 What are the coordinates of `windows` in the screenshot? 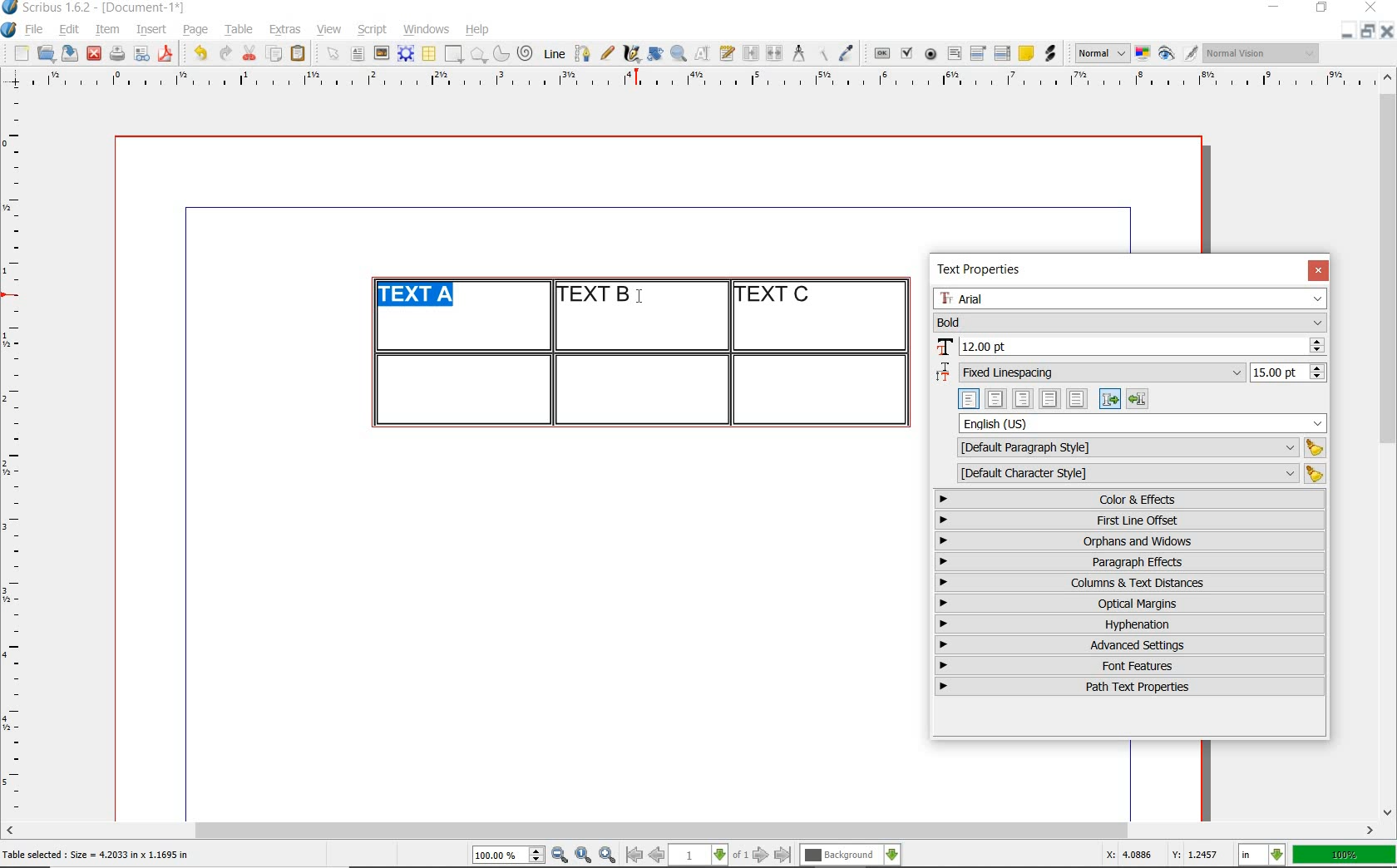 It's located at (427, 30).